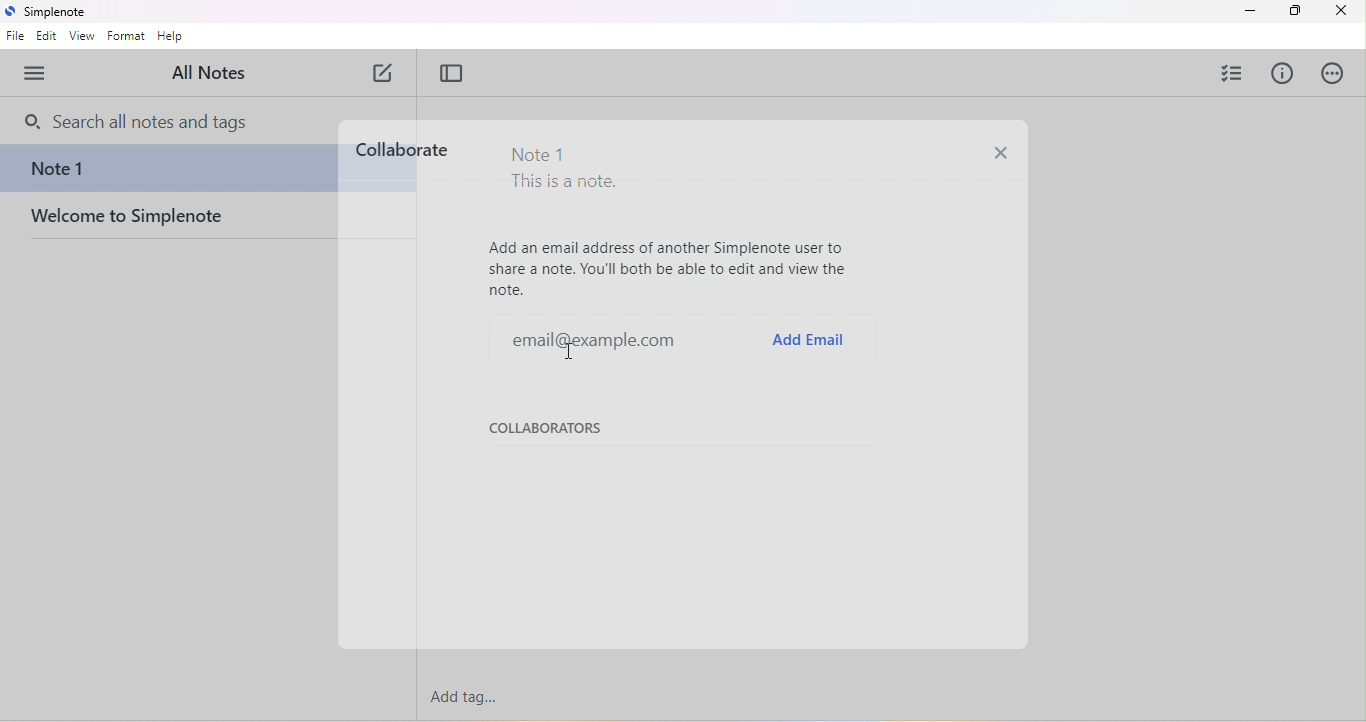  I want to click on minimize, so click(1249, 12).